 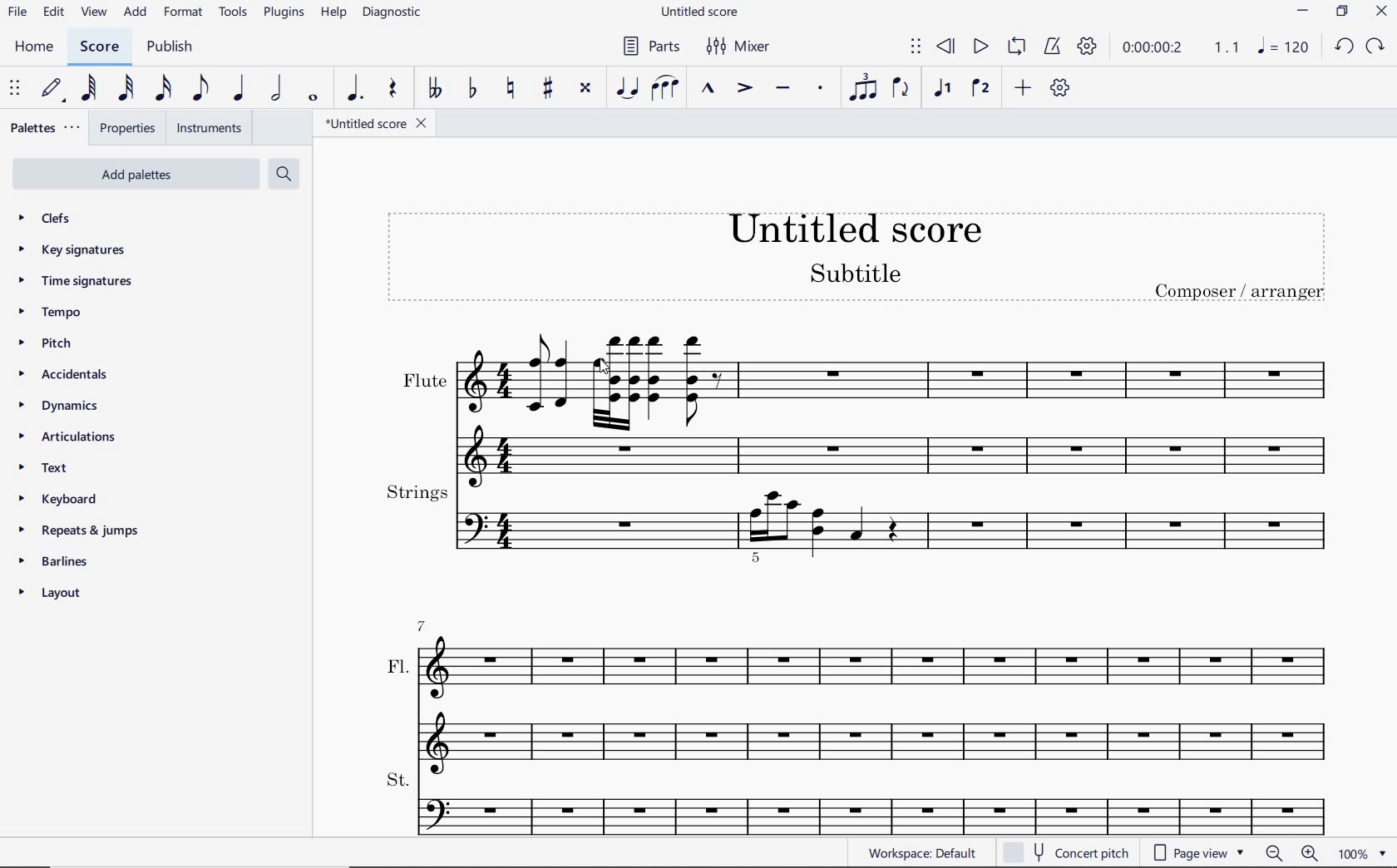 I want to click on DIAGNOSTIC, so click(x=391, y=12).